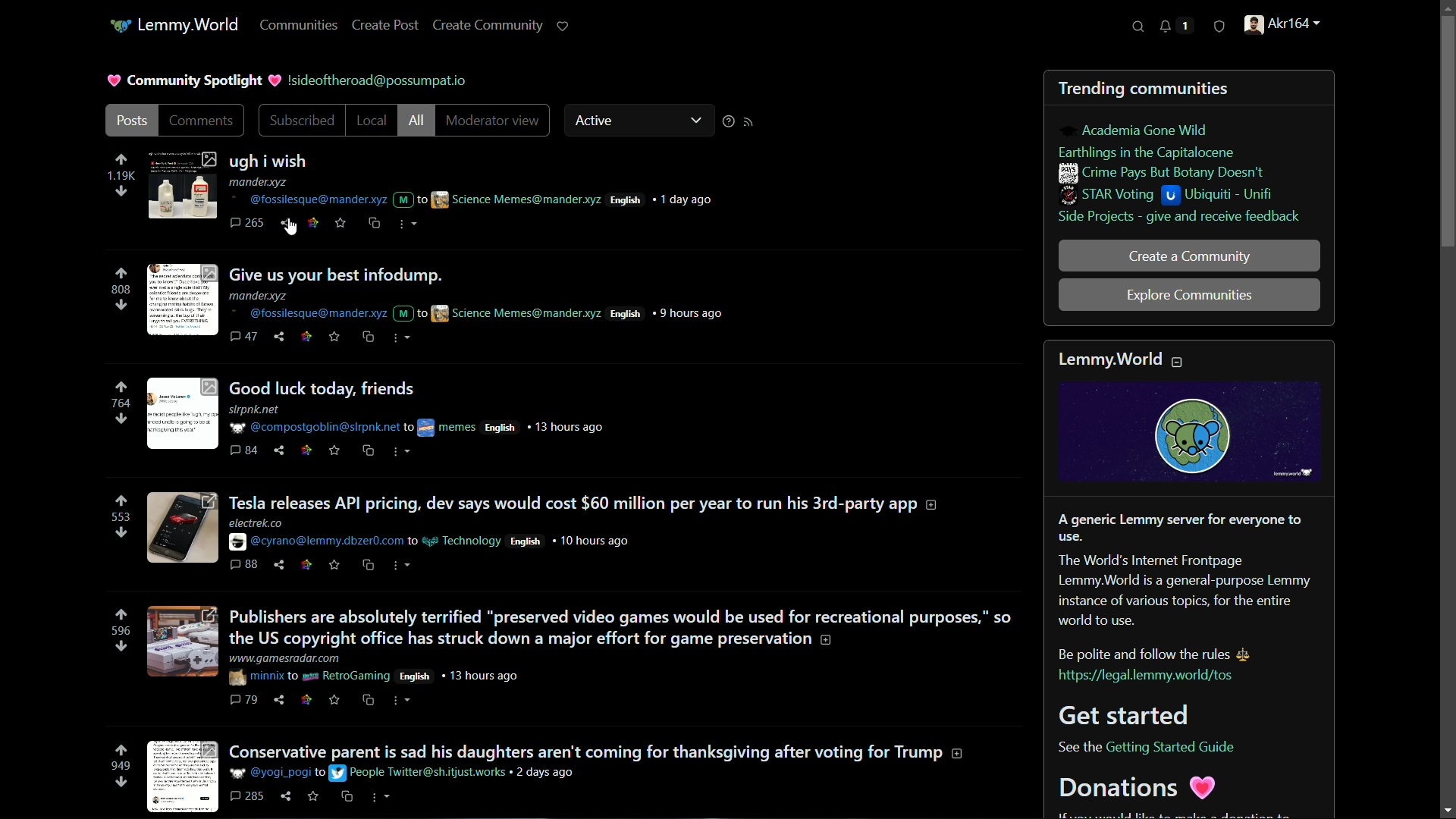  I want to click on comments, so click(202, 121).